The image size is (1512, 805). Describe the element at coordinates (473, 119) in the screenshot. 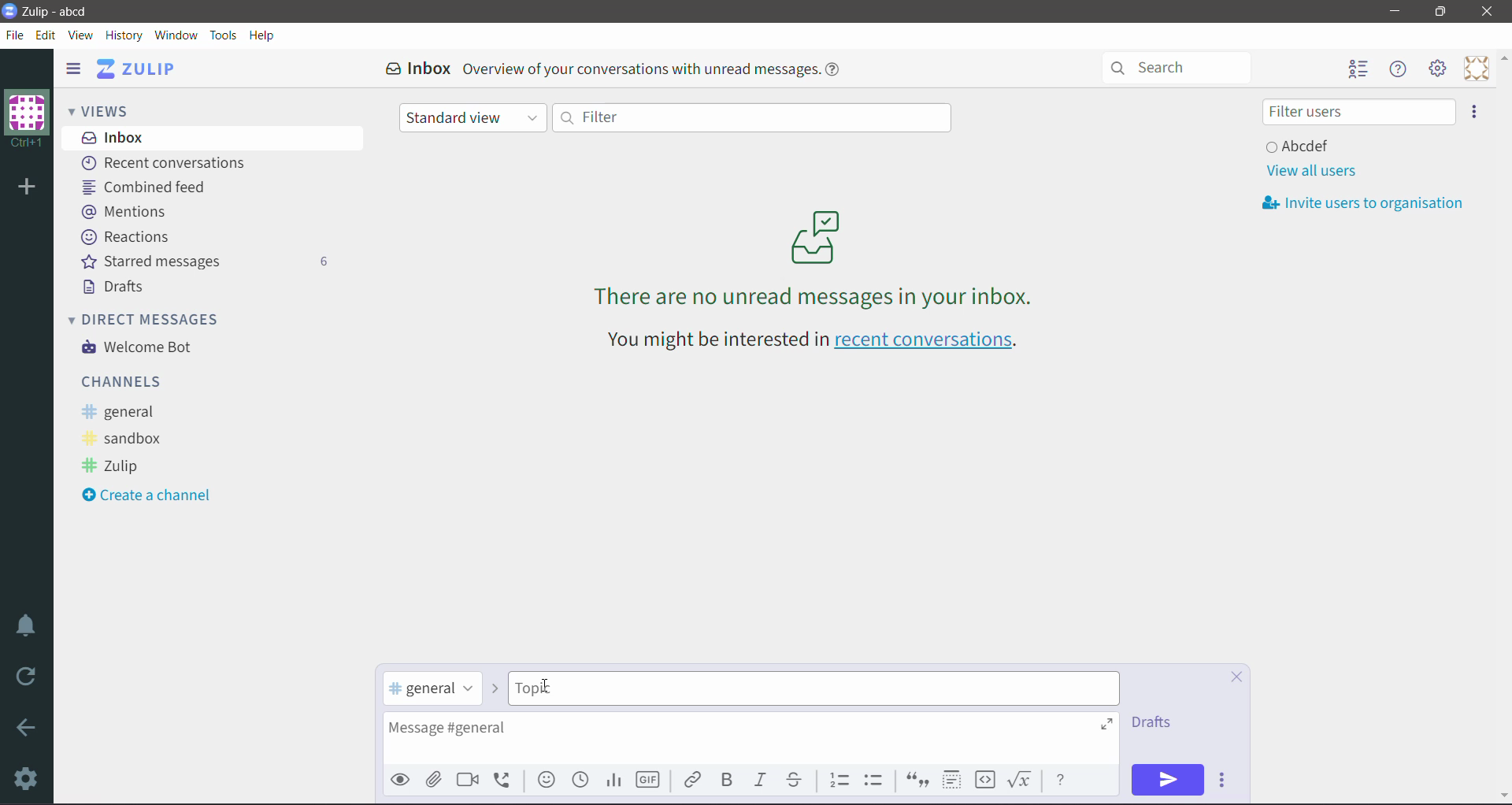

I see `Standard view` at that location.